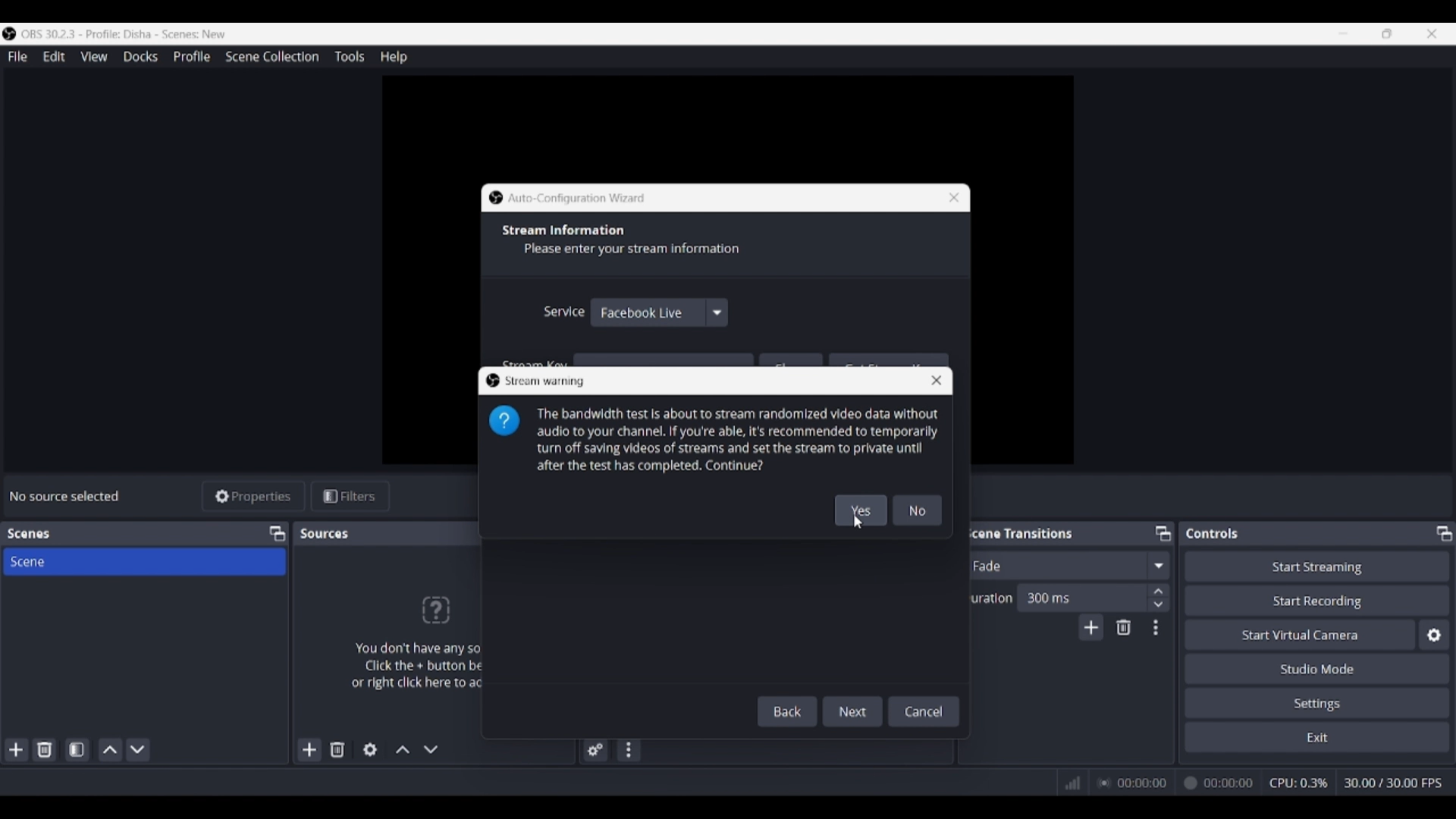 Image resolution: width=1456 pixels, height=819 pixels. Describe the element at coordinates (1019, 532) in the screenshot. I see `Panel title` at that location.